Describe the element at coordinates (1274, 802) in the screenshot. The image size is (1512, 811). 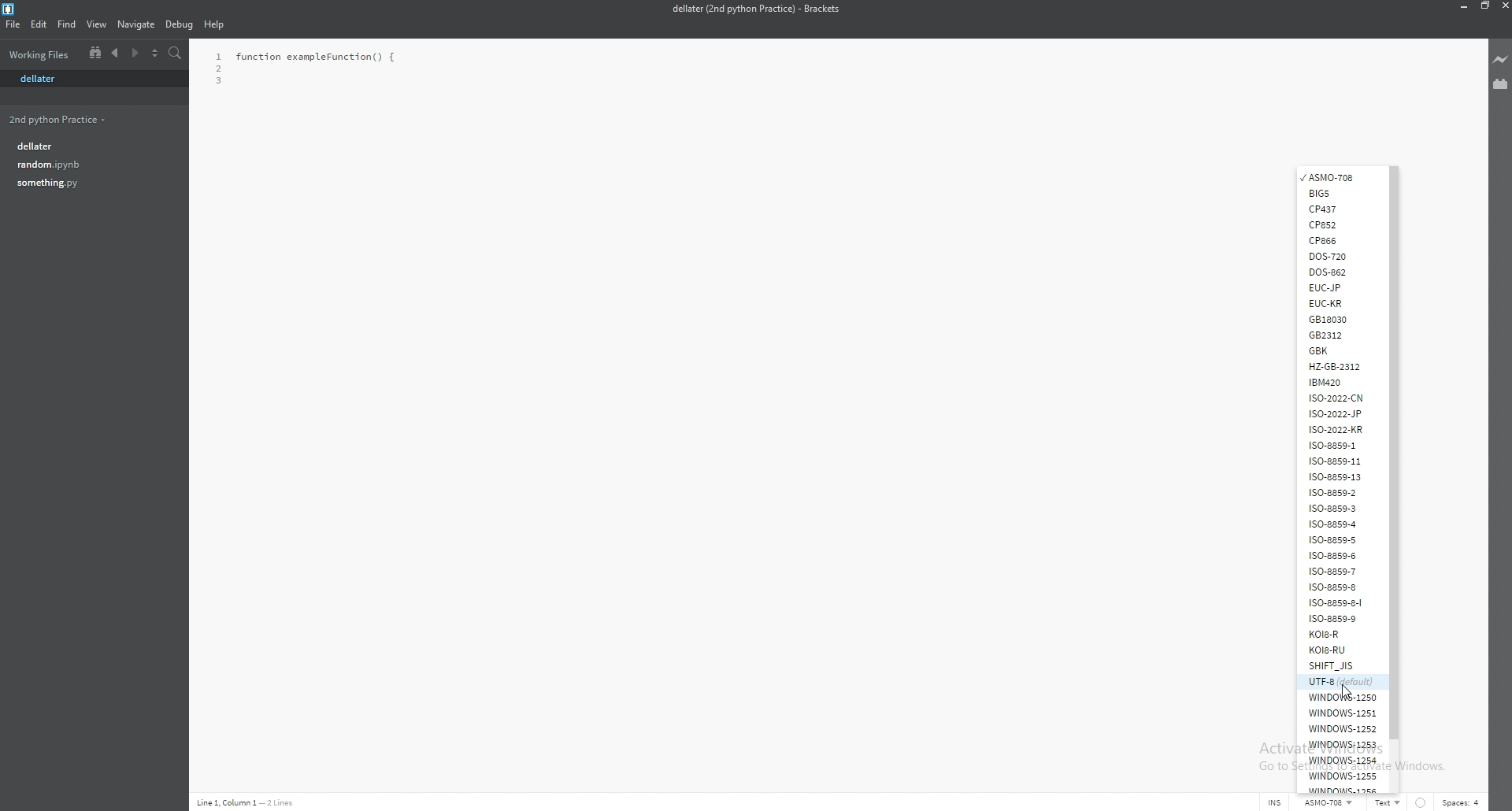
I see `INS` at that location.